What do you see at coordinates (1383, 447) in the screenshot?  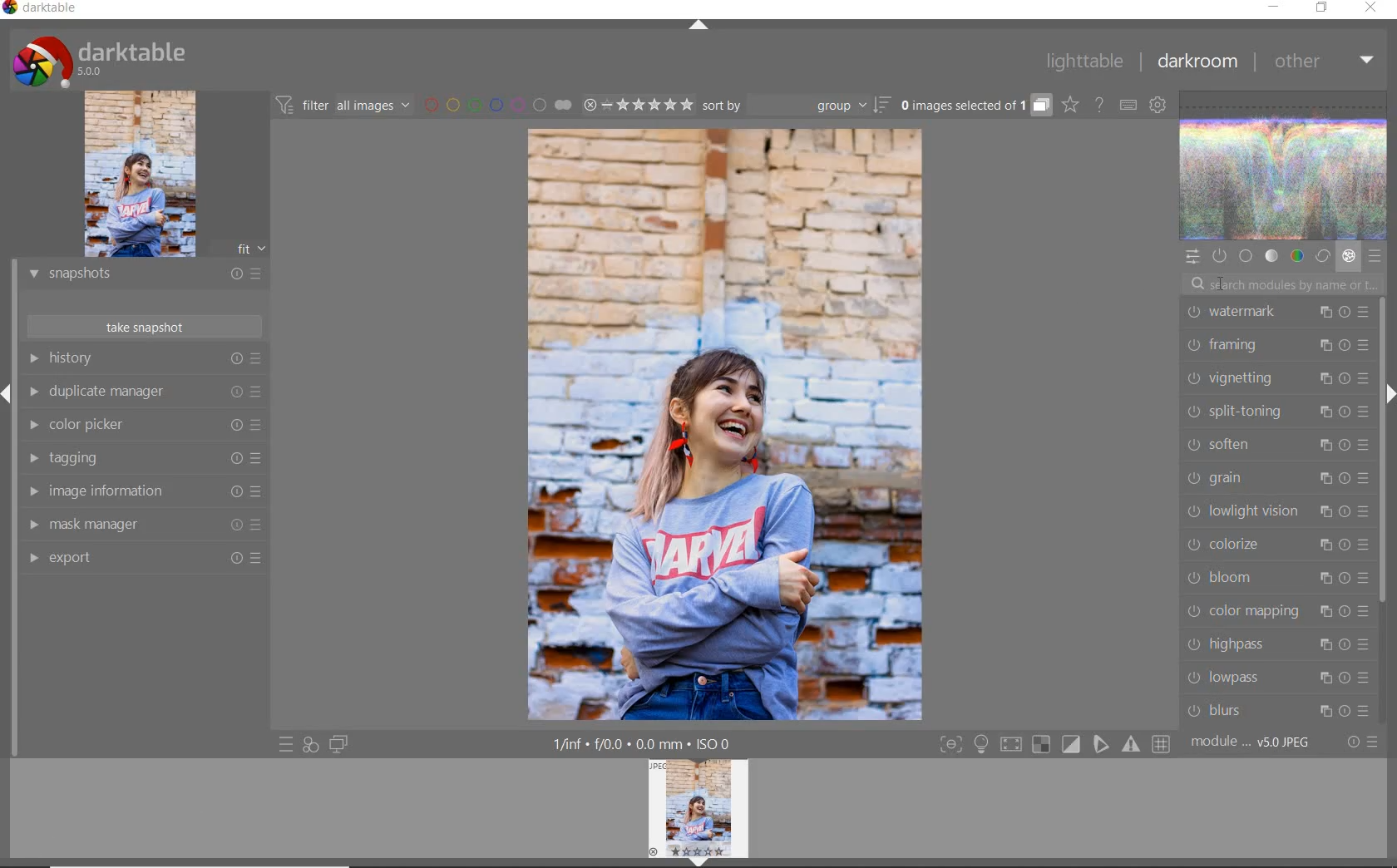 I see `scrollbar` at bounding box center [1383, 447].